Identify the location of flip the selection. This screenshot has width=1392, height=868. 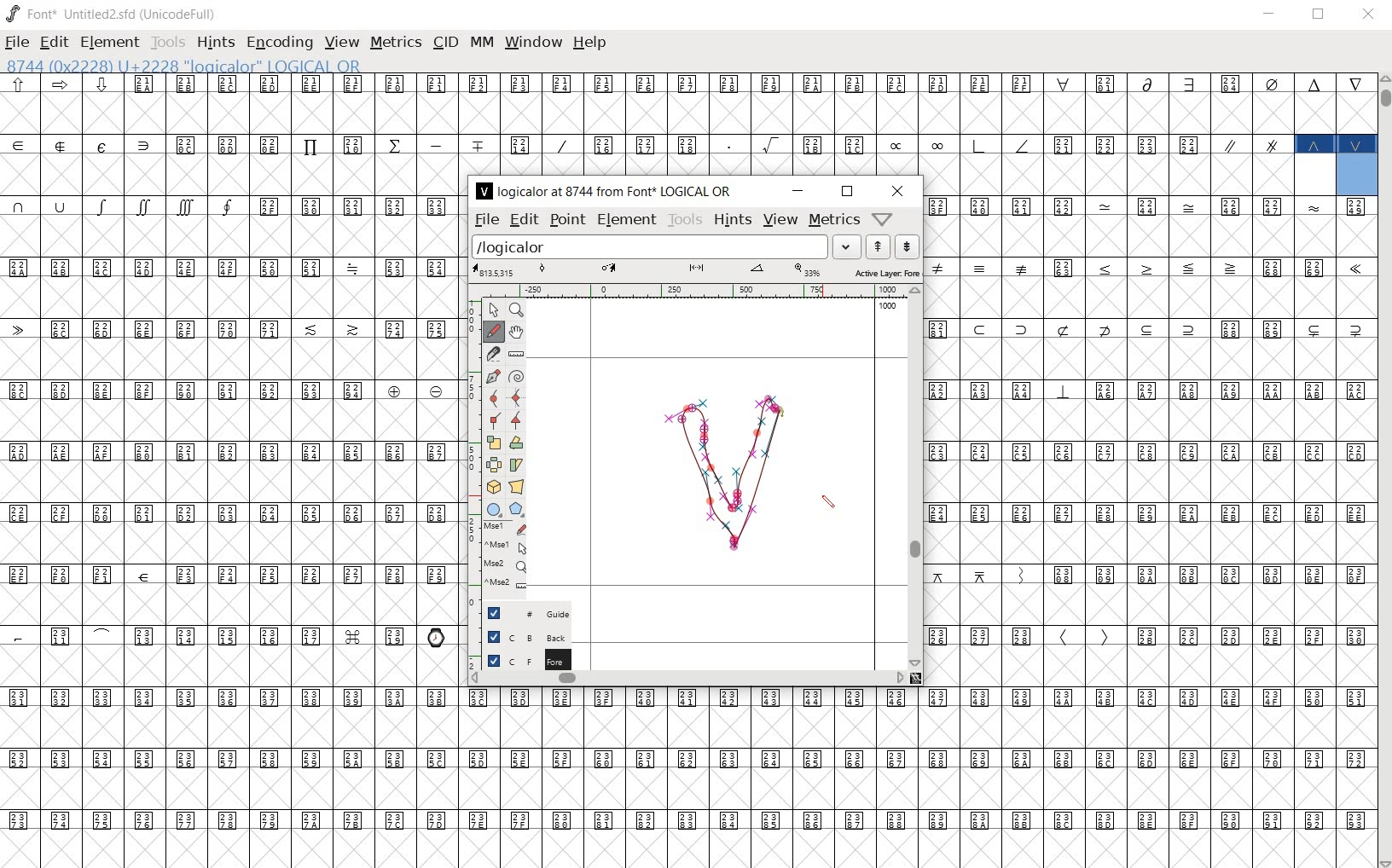
(492, 465).